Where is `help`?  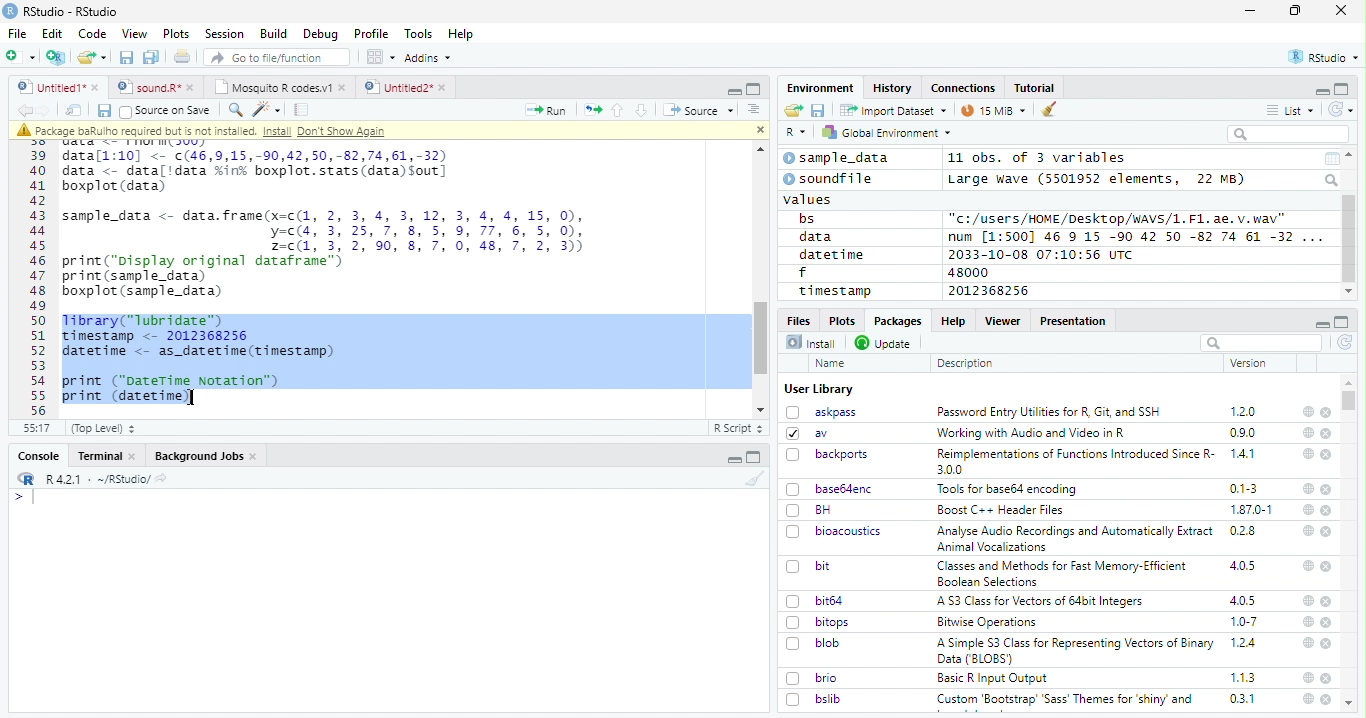 help is located at coordinates (1306, 642).